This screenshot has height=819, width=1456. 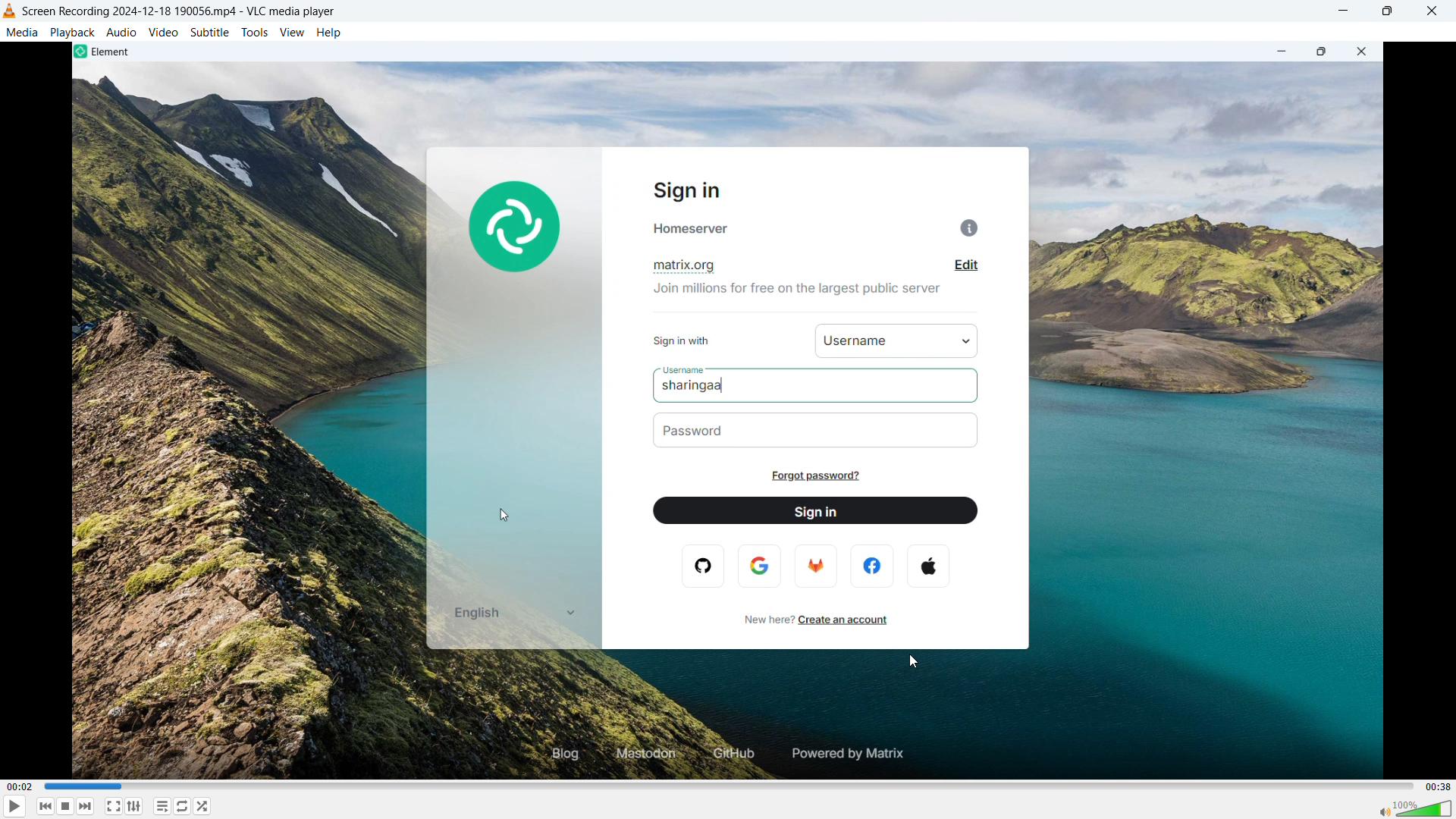 What do you see at coordinates (210, 33) in the screenshot?
I see `Subtitle ` at bounding box center [210, 33].